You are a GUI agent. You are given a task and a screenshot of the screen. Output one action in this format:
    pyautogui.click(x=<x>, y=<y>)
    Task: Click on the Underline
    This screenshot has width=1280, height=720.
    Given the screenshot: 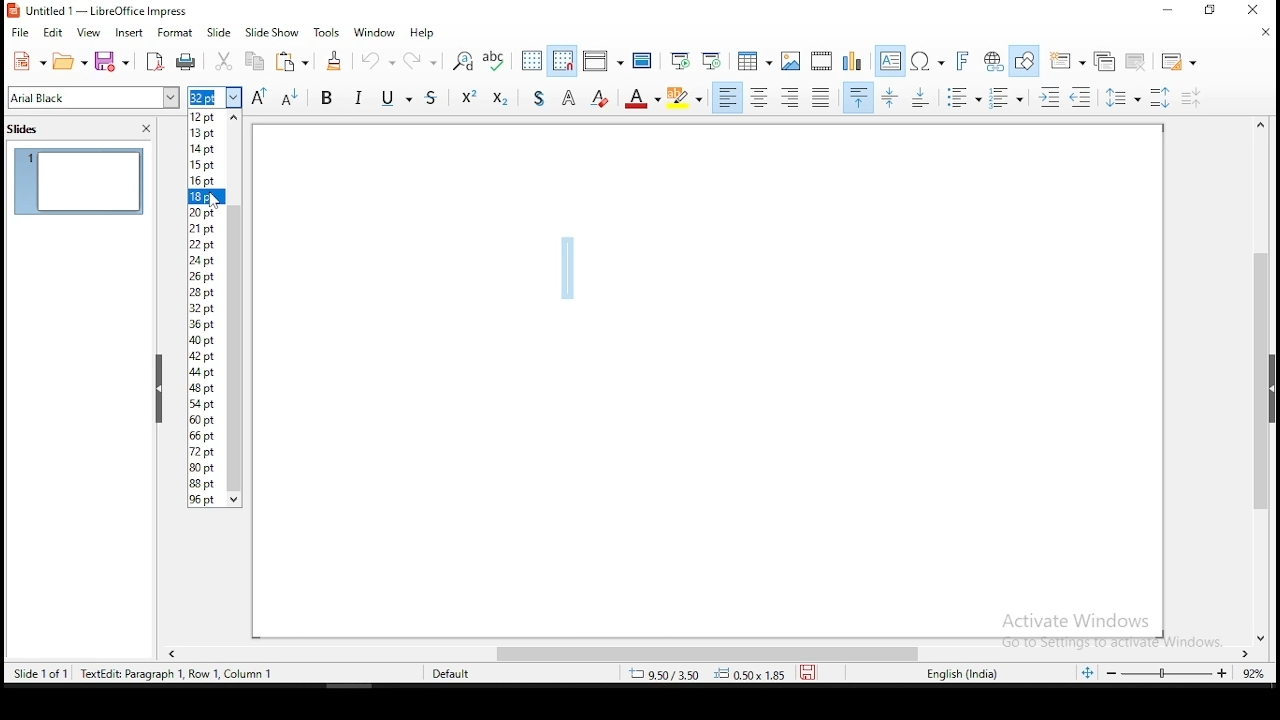 What is the action you would take?
    pyautogui.click(x=395, y=96)
    